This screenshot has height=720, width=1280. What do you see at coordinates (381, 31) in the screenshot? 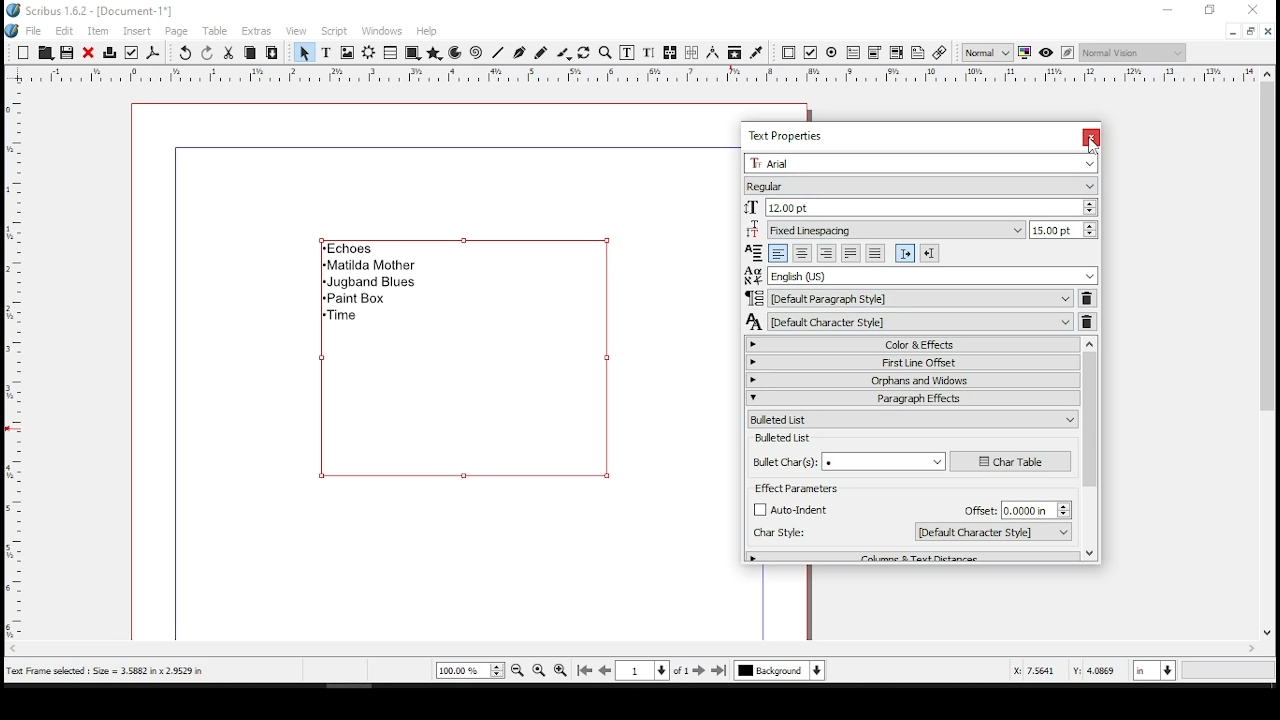
I see `windows` at bounding box center [381, 31].